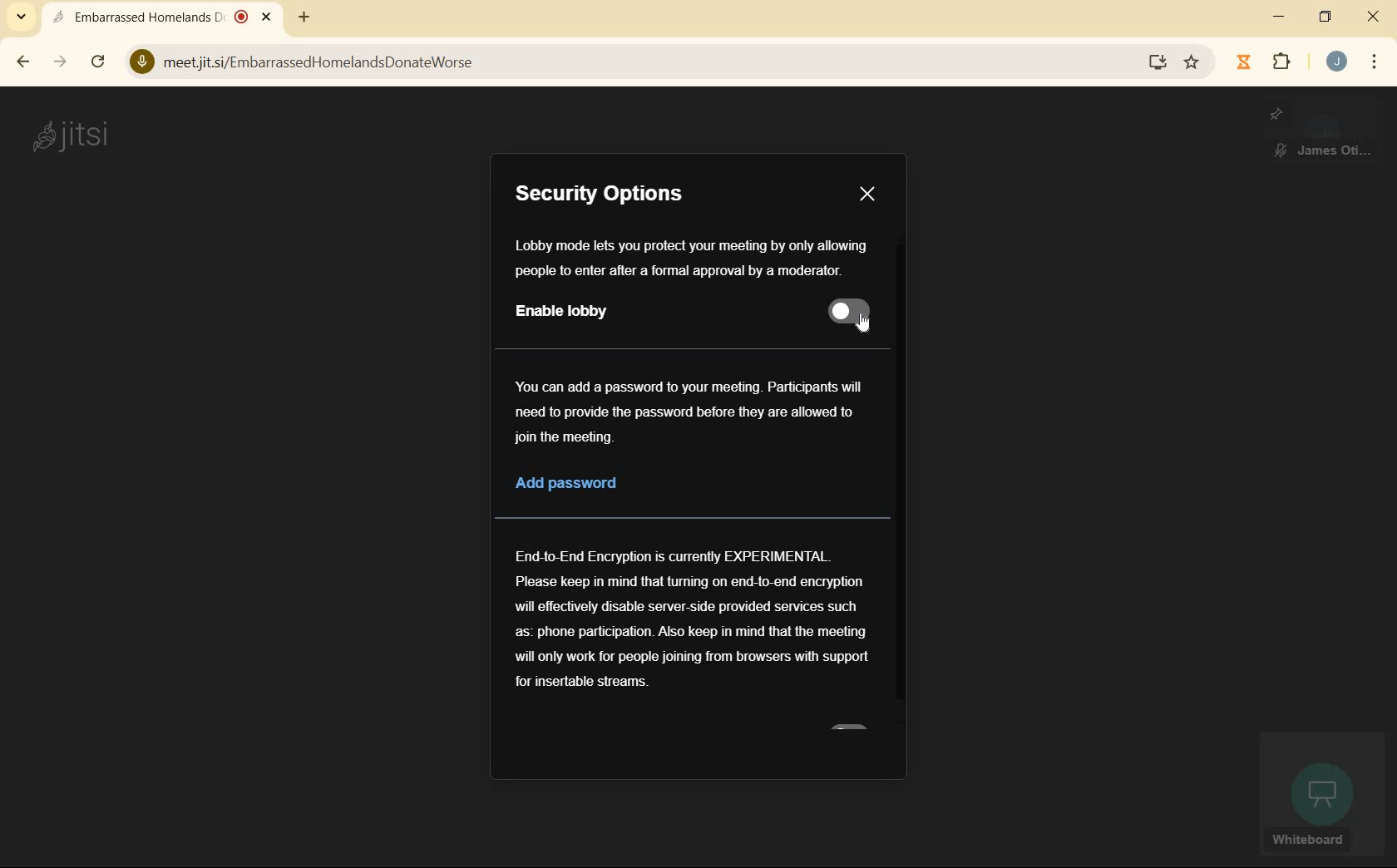 This screenshot has width=1397, height=868. Describe the element at coordinates (1325, 18) in the screenshot. I see `restore down` at that location.